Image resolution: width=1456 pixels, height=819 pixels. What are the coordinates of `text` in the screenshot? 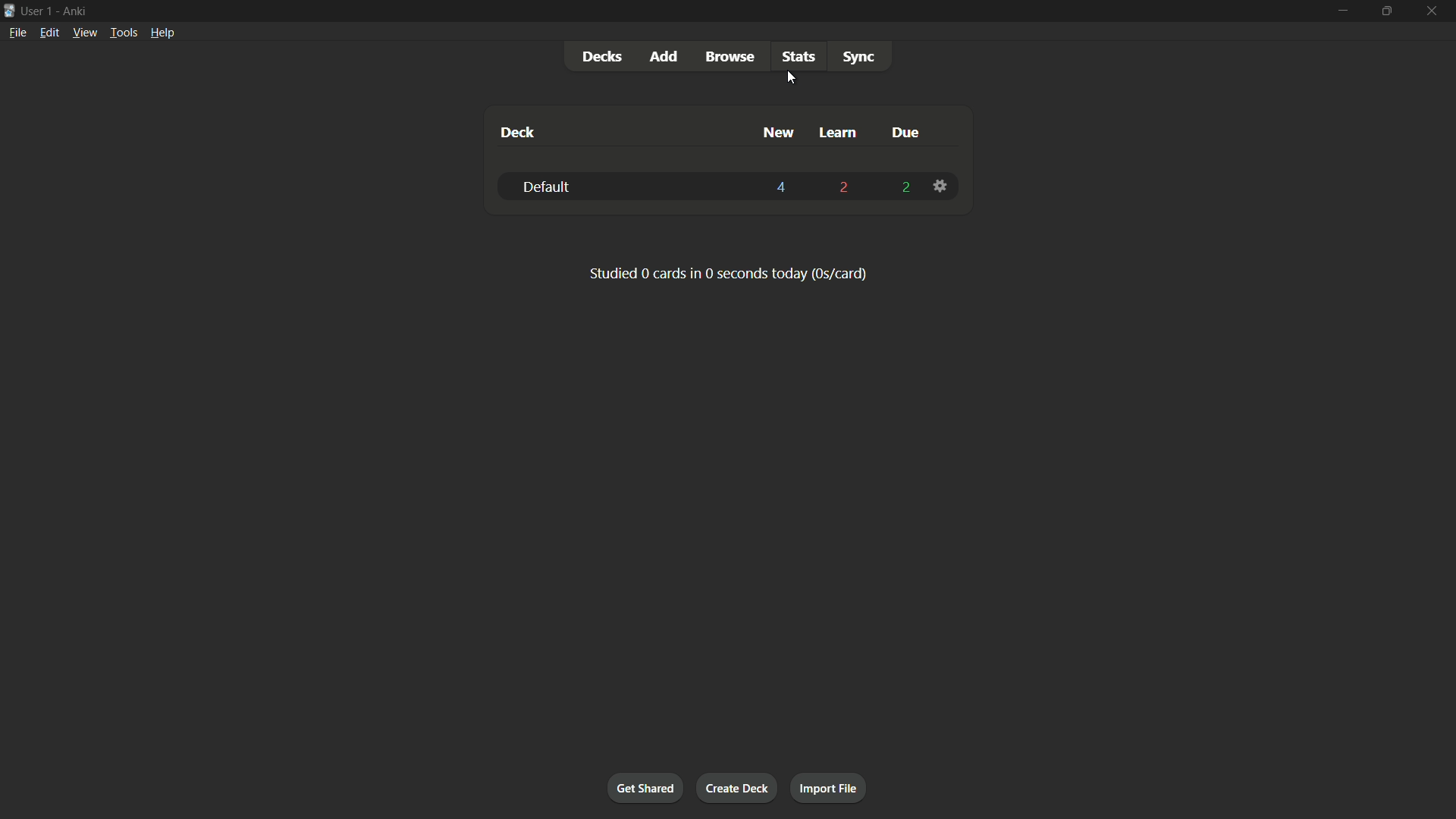 It's located at (726, 273).